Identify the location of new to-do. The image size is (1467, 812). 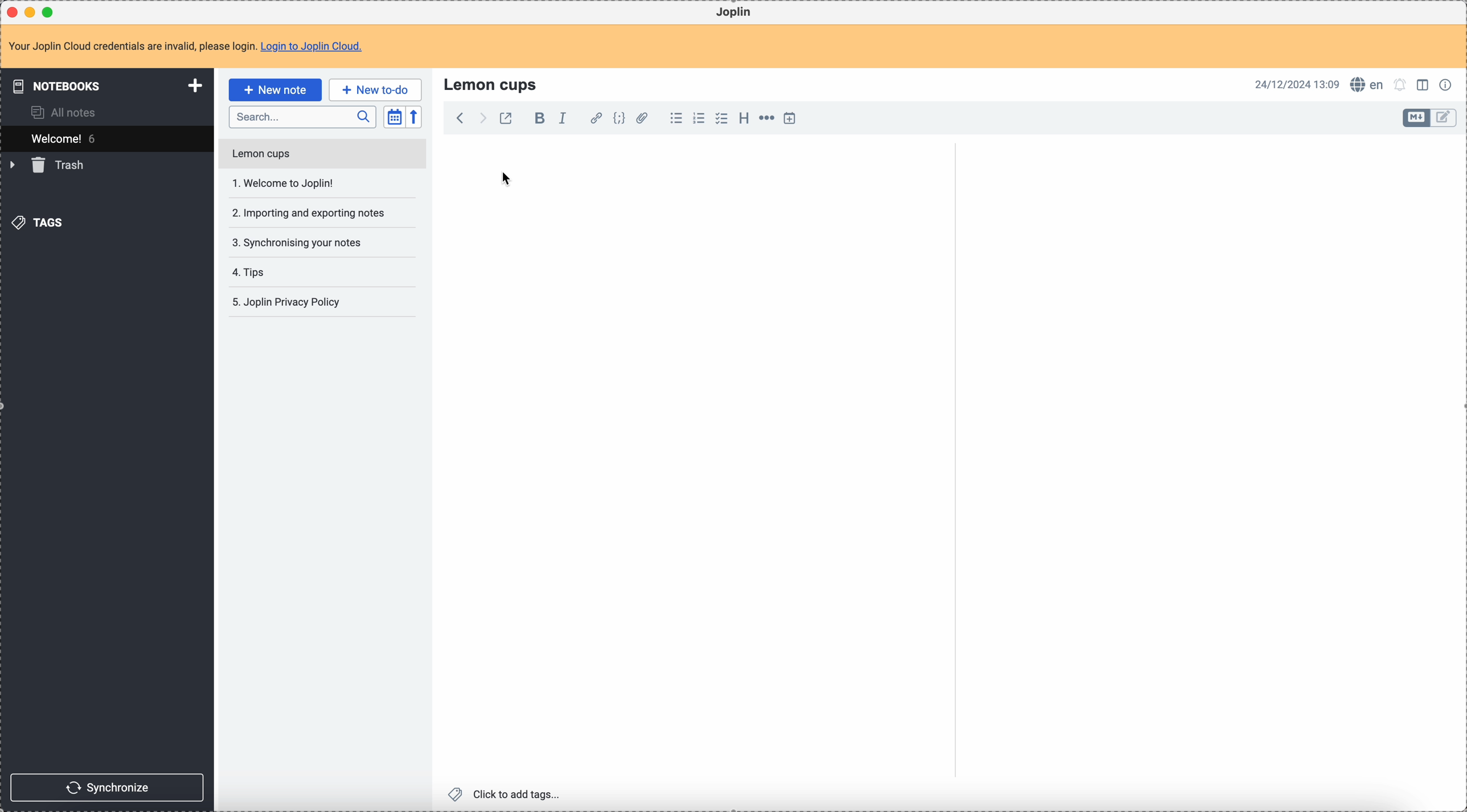
(375, 89).